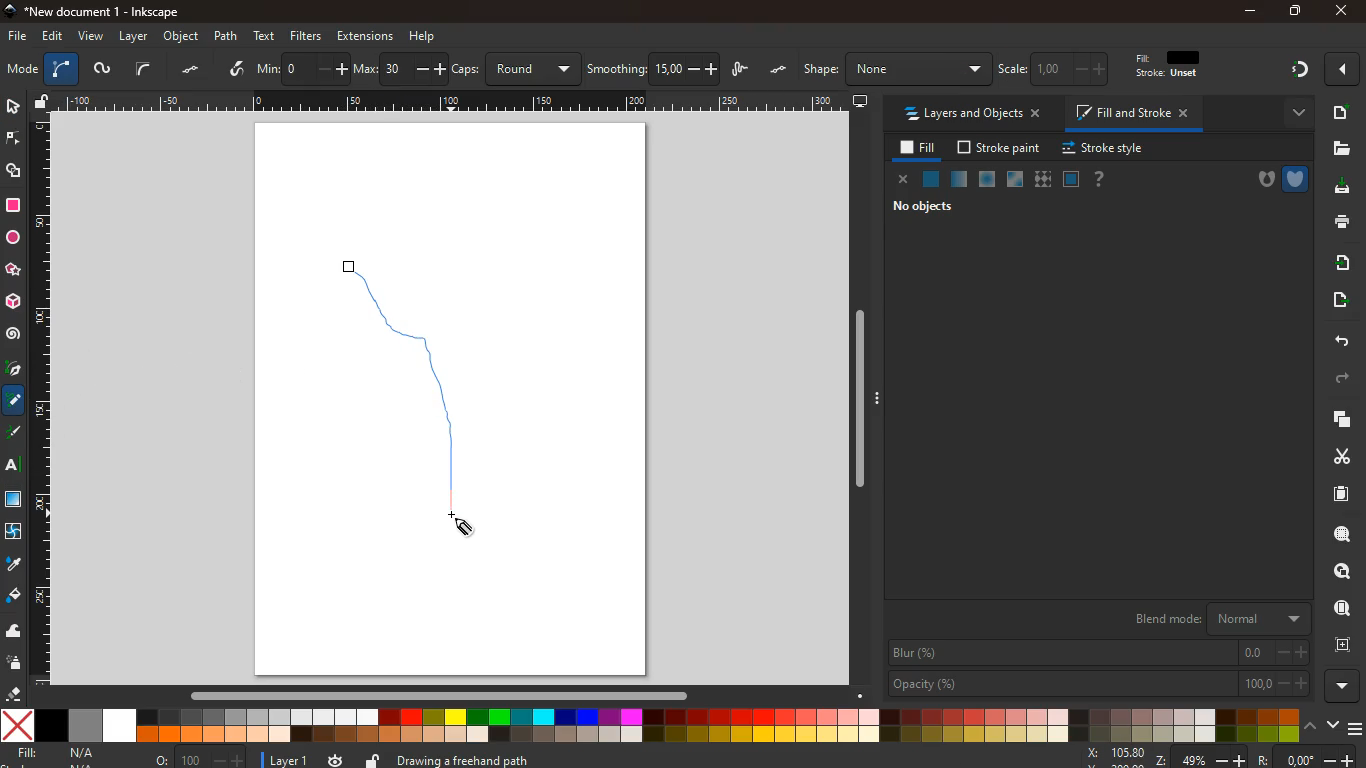 The image size is (1366, 768). Describe the element at coordinates (1340, 112) in the screenshot. I see `add` at that location.